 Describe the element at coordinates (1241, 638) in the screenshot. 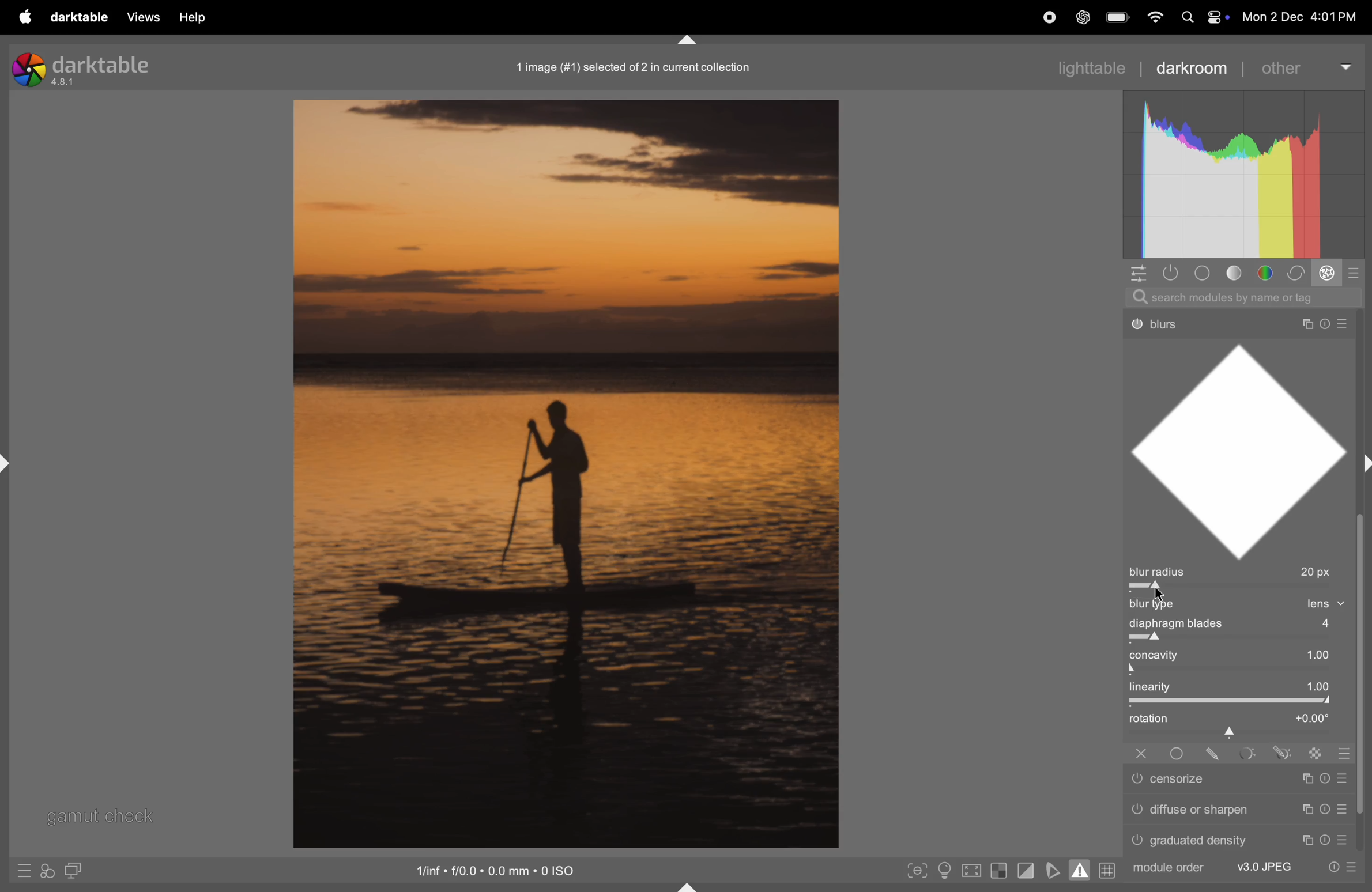

I see `toggle bar` at that location.